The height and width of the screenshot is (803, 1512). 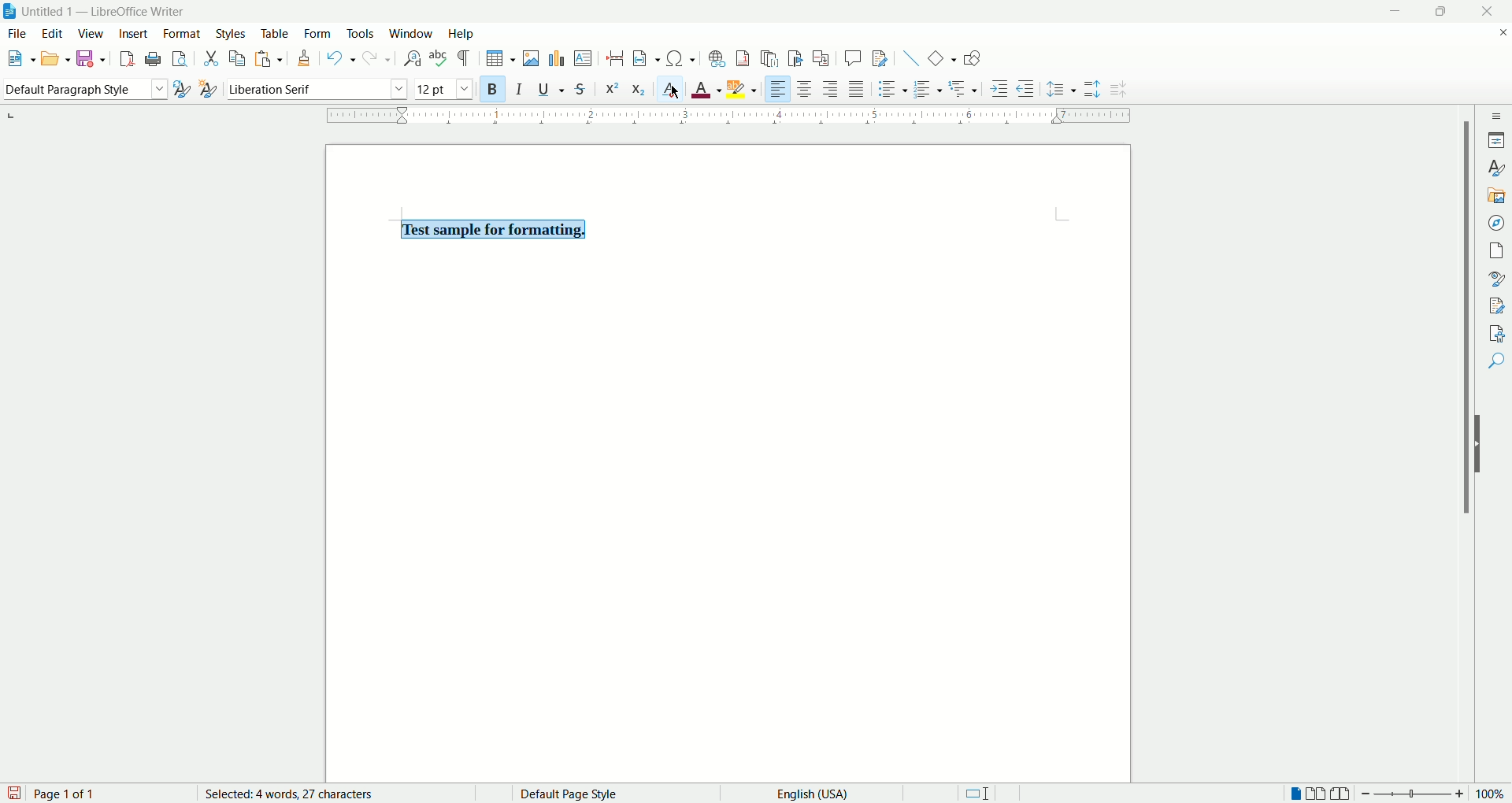 I want to click on properties, so click(x=1495, y=140).